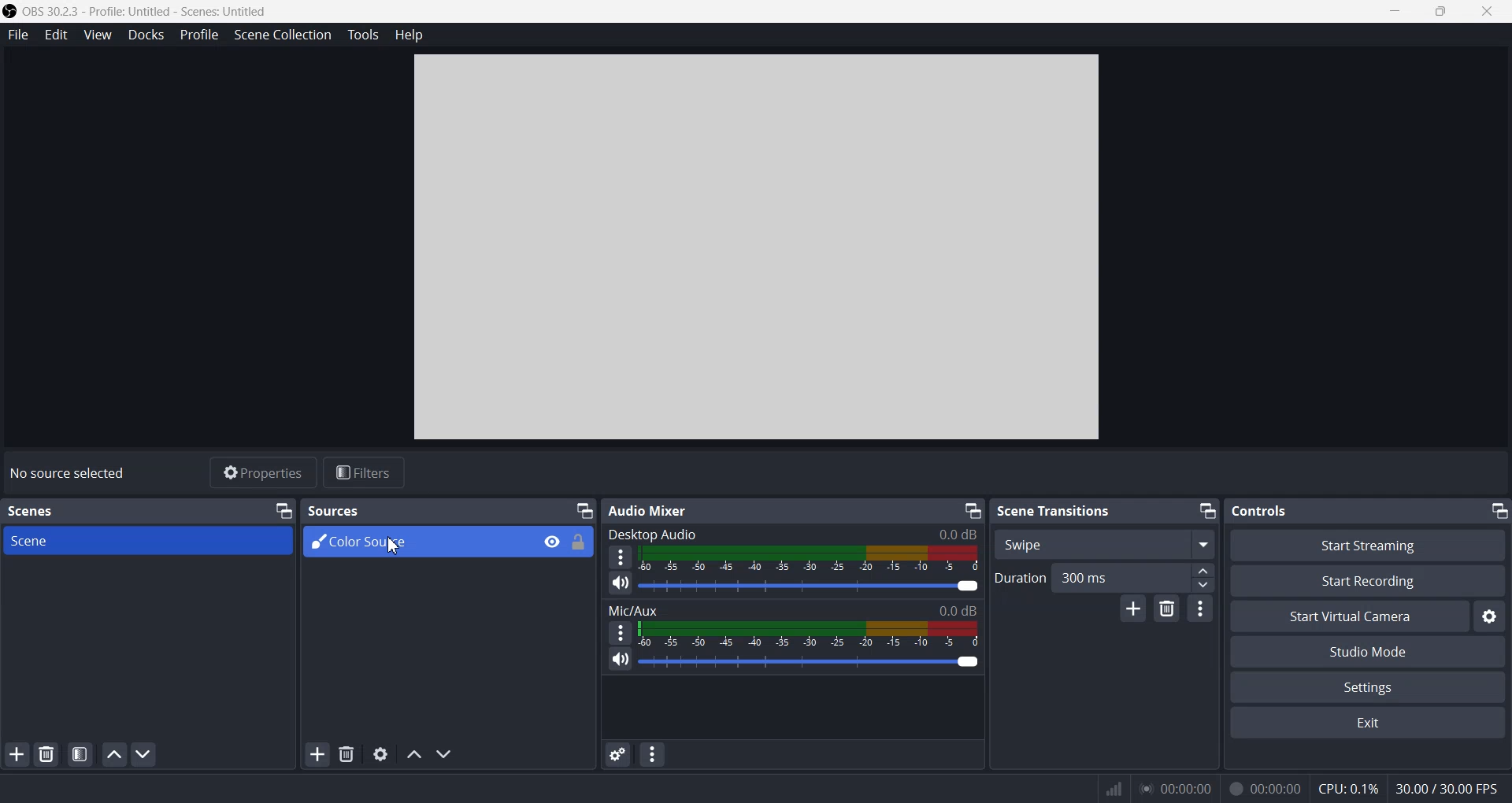 This screenshot has width=1512, height=803. What do you see at coordinates (56, 34) in the screenshot?
I see `Edit` at bounding box center [56, 34].